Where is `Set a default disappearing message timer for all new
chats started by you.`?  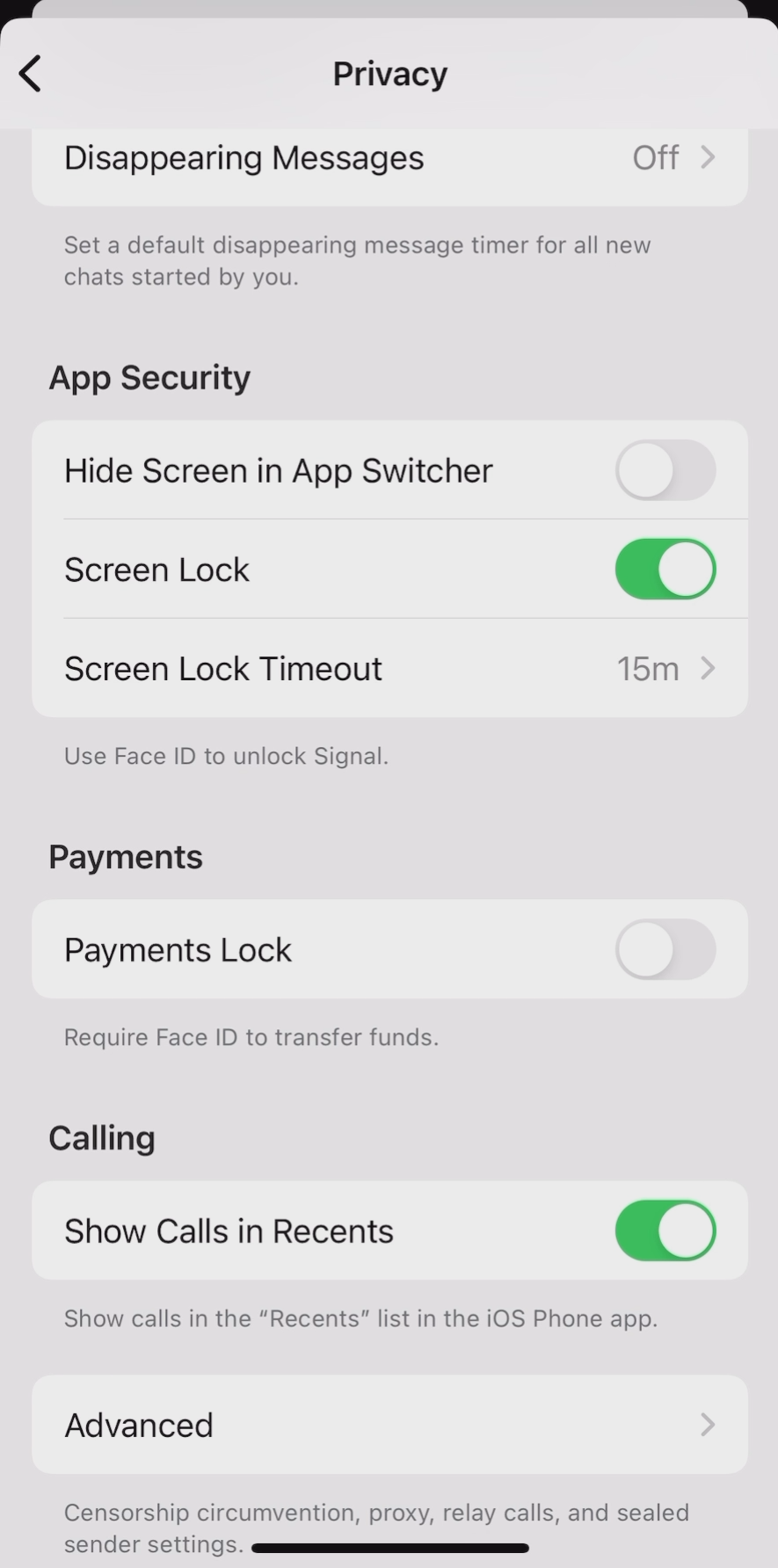
Set a default disappearing message timer for all new
chats started by you. is located at coordinates (360, 265).